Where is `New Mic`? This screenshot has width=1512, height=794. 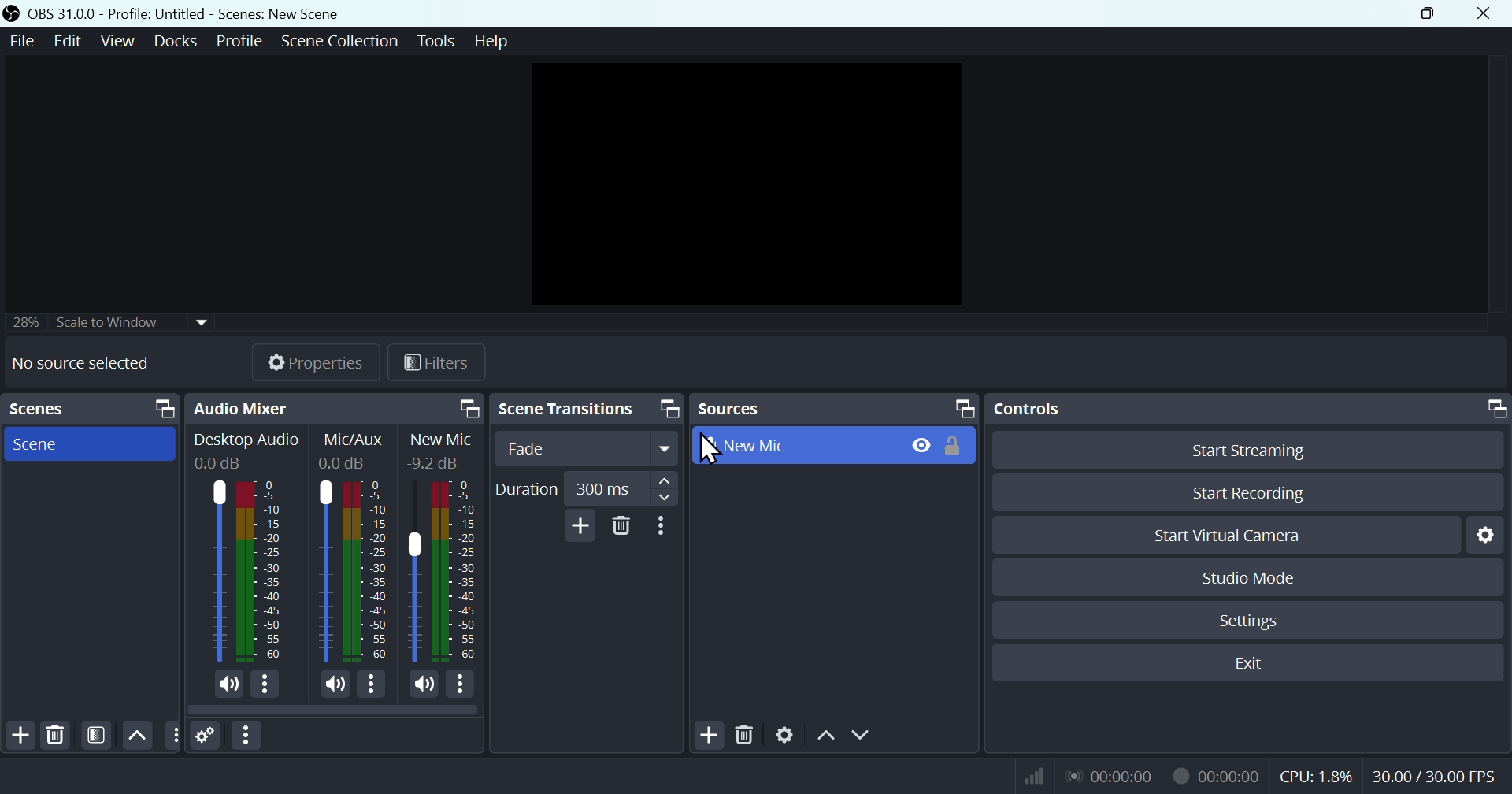 New Mic is located at coordinates (416, 573).